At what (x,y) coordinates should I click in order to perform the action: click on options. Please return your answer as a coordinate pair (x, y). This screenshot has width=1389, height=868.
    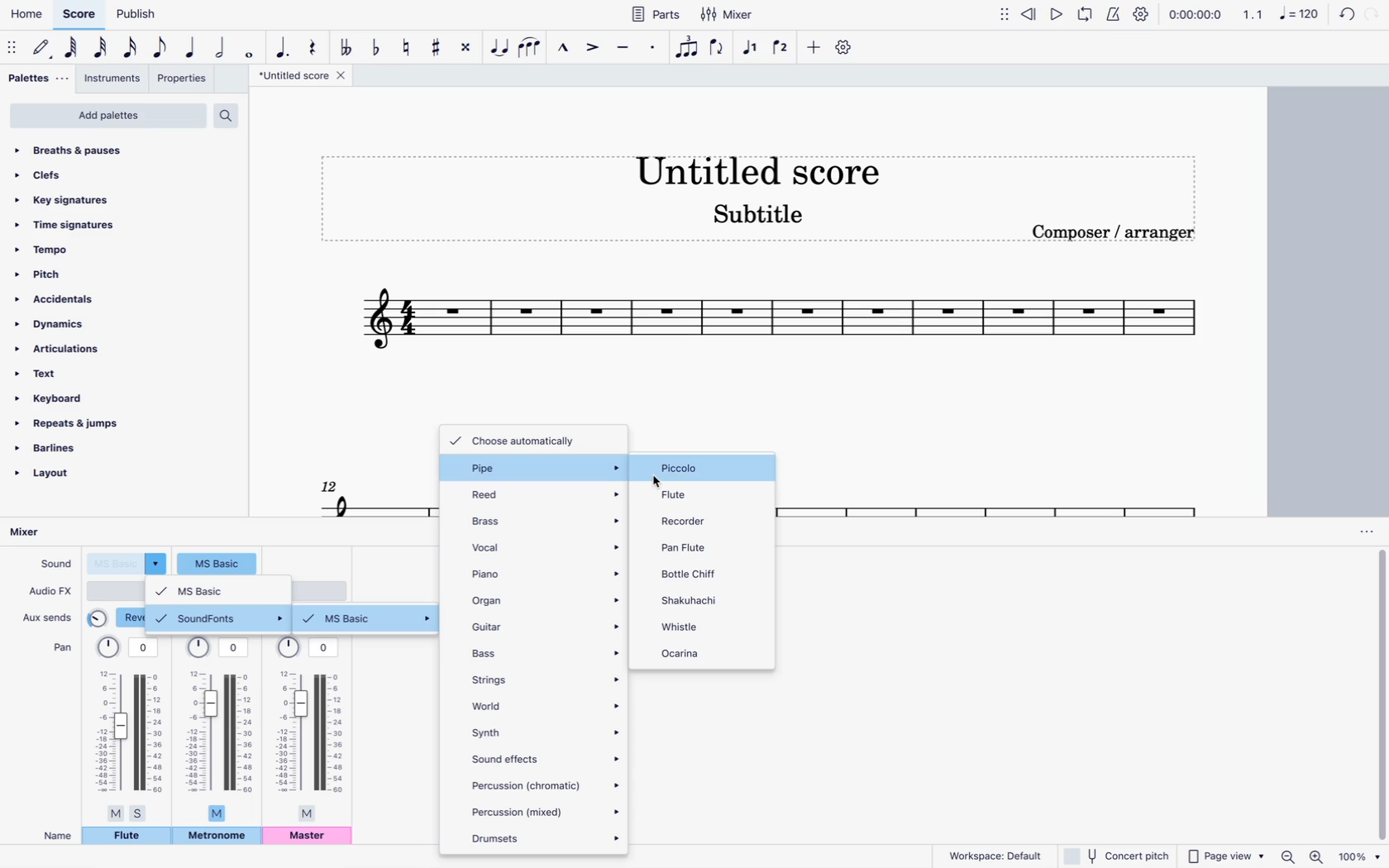
    Looking at the image, I should click on (1365, 532).